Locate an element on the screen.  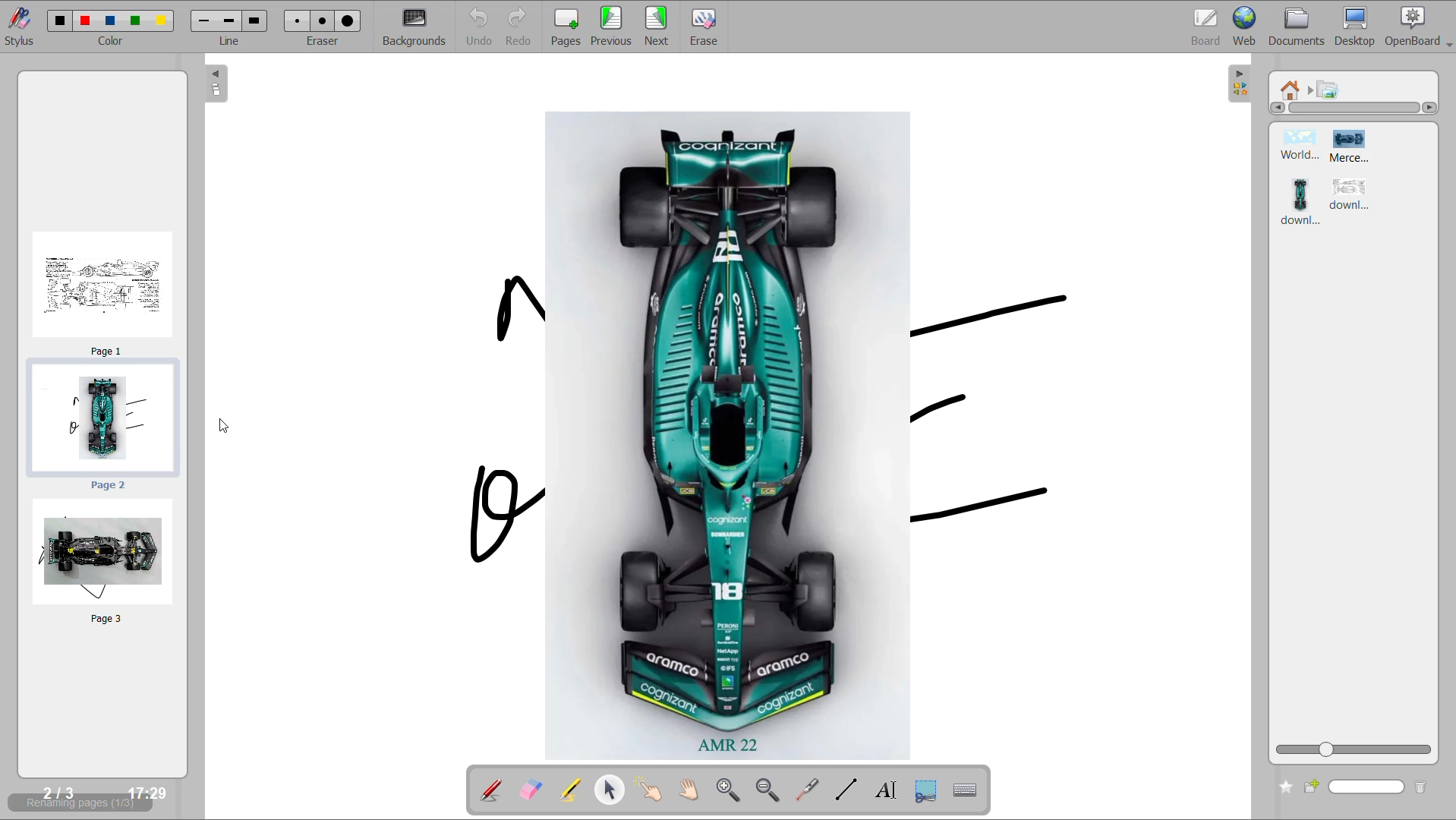
create new folder is located at coordinates (1316, 784).